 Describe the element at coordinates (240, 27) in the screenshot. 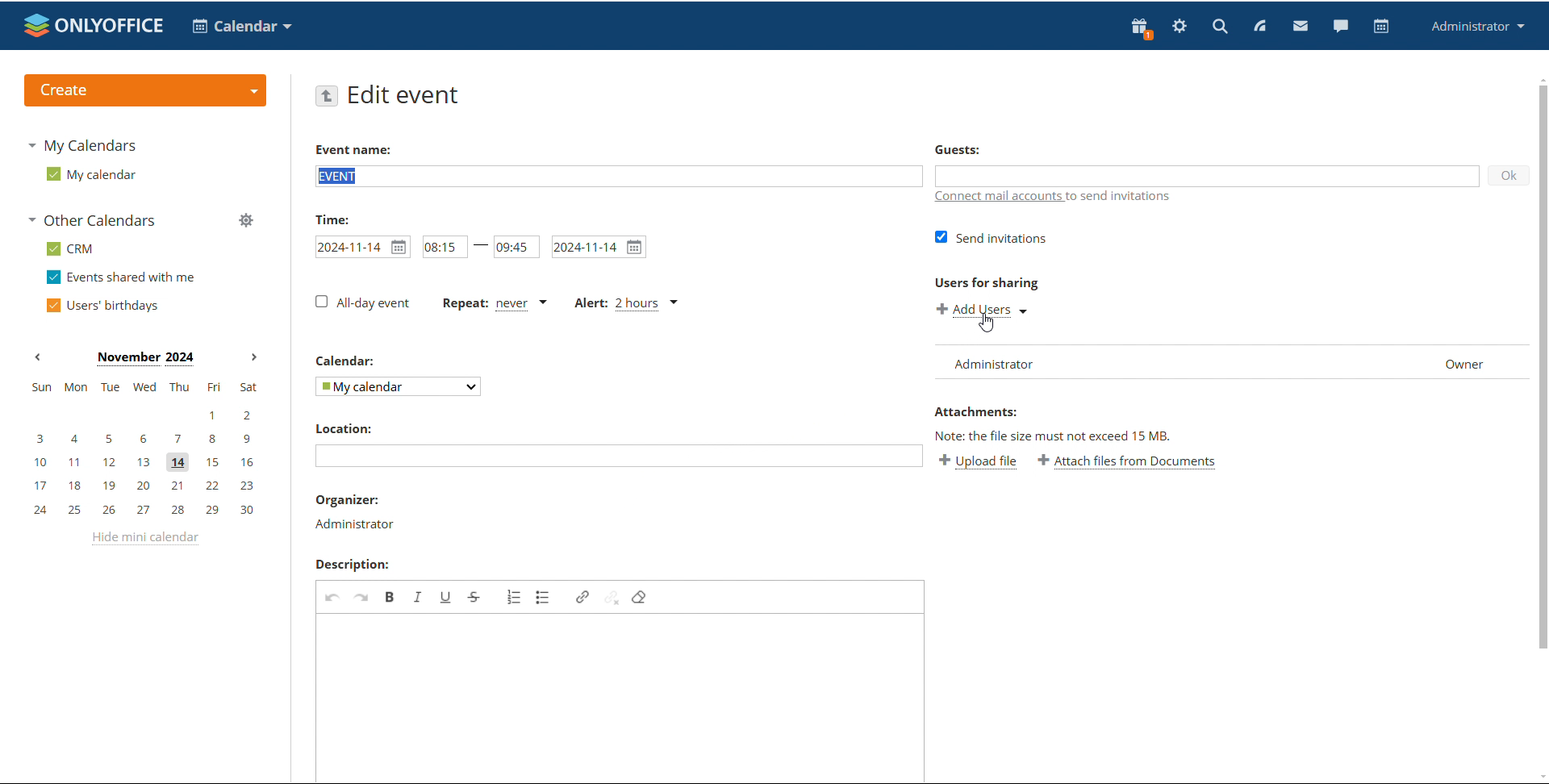

I see `select application` at that location.